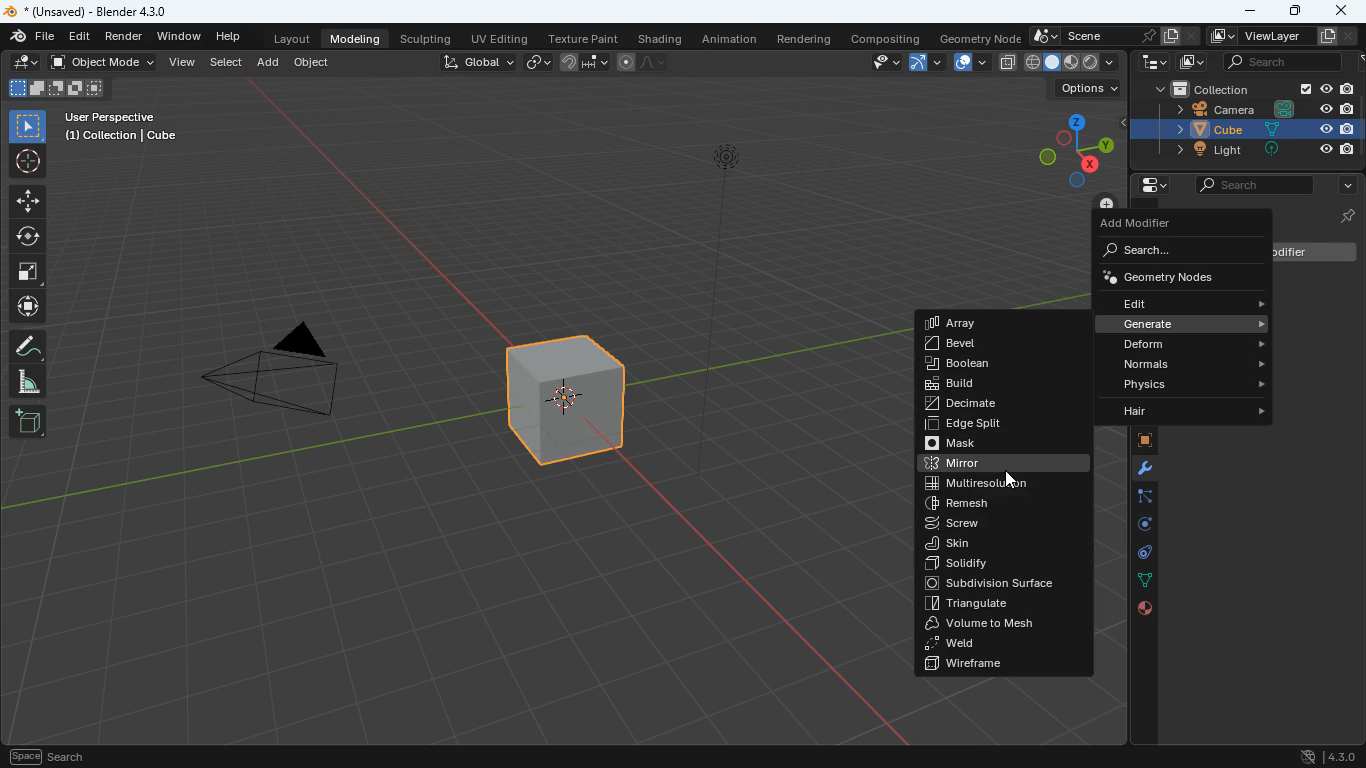  Describe the element at coordinates (997, 544) in the screenshot. I see `skin` at that location.